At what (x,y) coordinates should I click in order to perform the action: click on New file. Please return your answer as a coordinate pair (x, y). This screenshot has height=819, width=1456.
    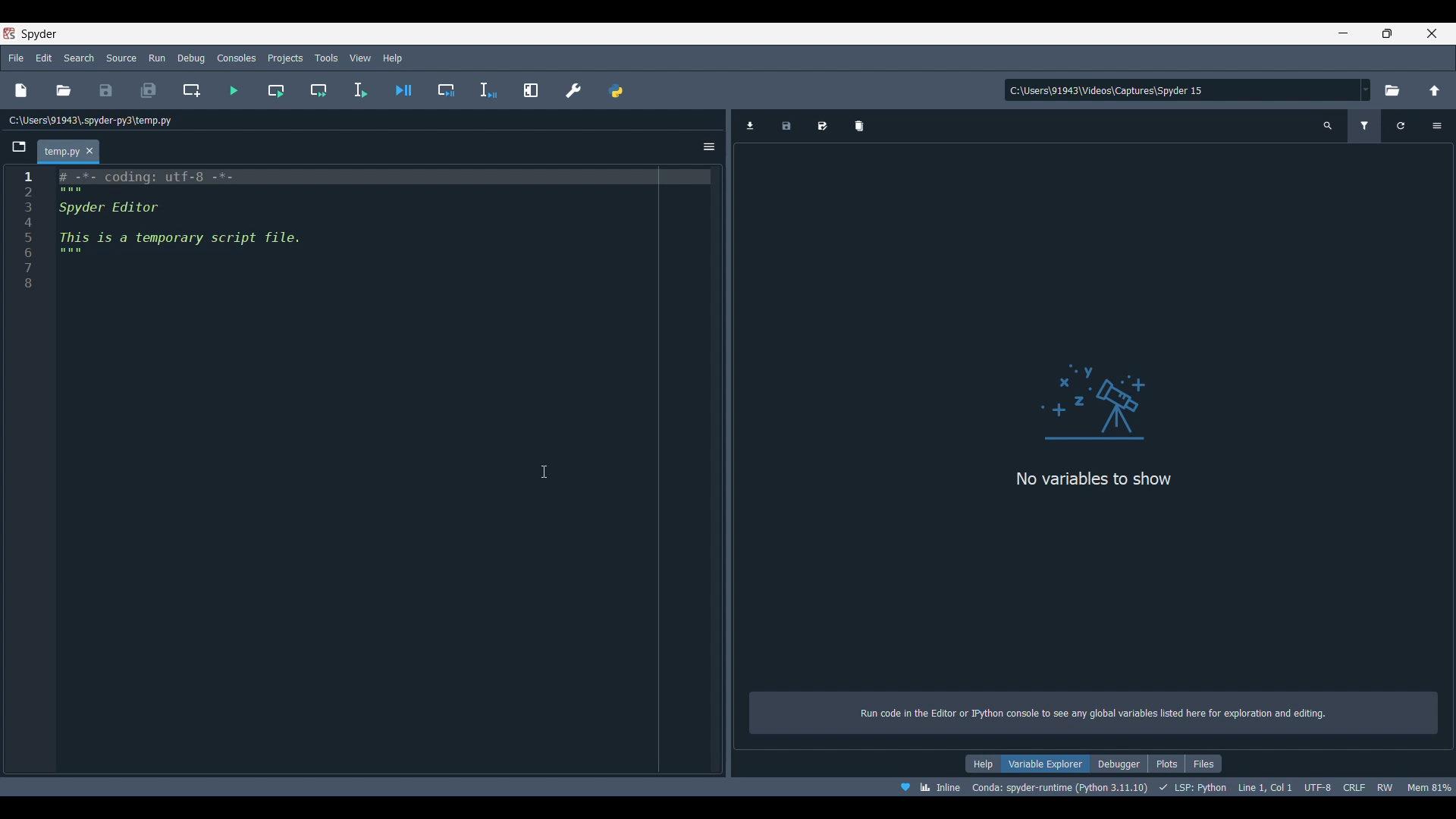
    Looking at the image, I should click on (20, 90).